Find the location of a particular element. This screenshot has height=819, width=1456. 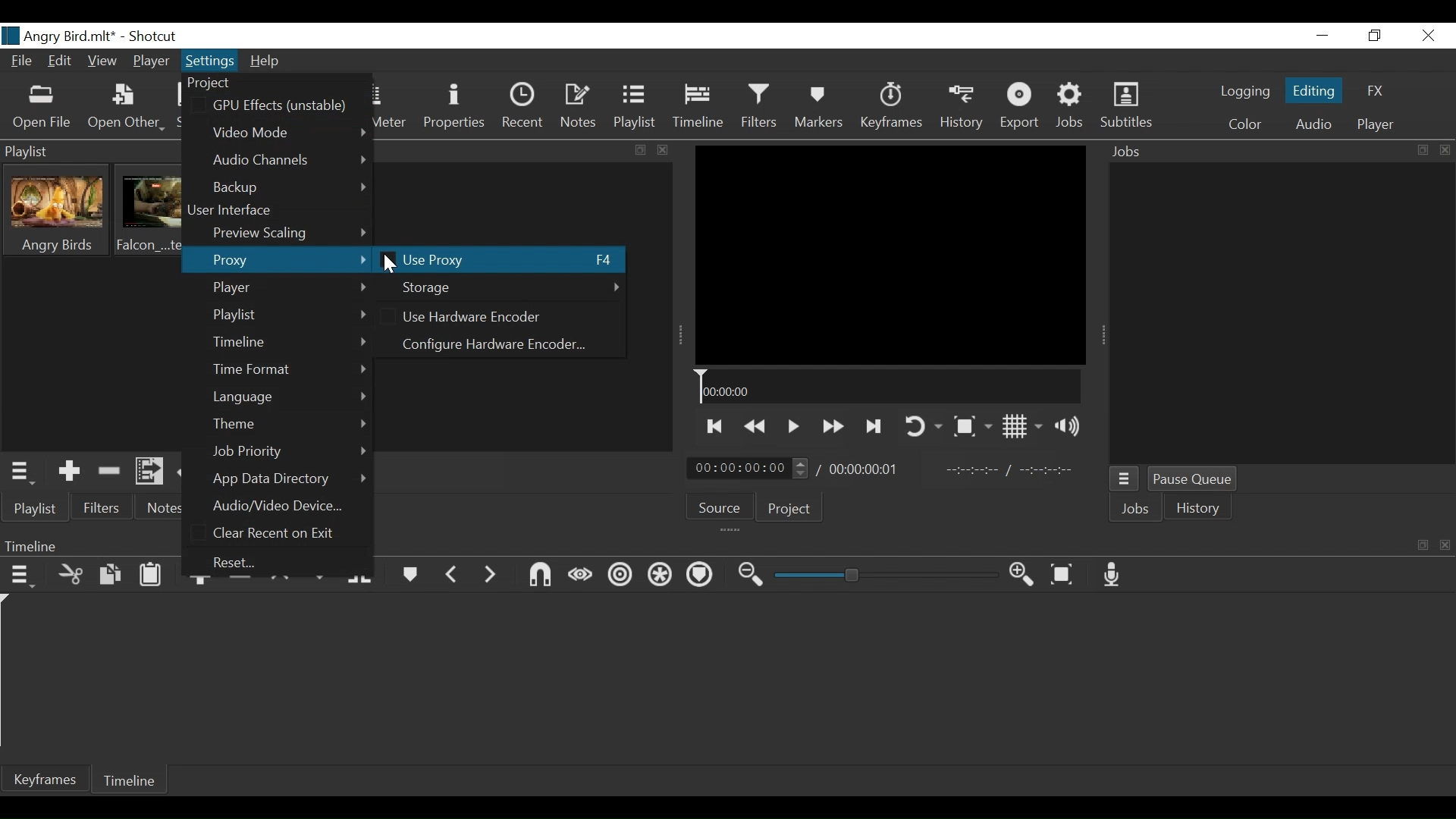

Editing is located at coordinates (1313, 90).